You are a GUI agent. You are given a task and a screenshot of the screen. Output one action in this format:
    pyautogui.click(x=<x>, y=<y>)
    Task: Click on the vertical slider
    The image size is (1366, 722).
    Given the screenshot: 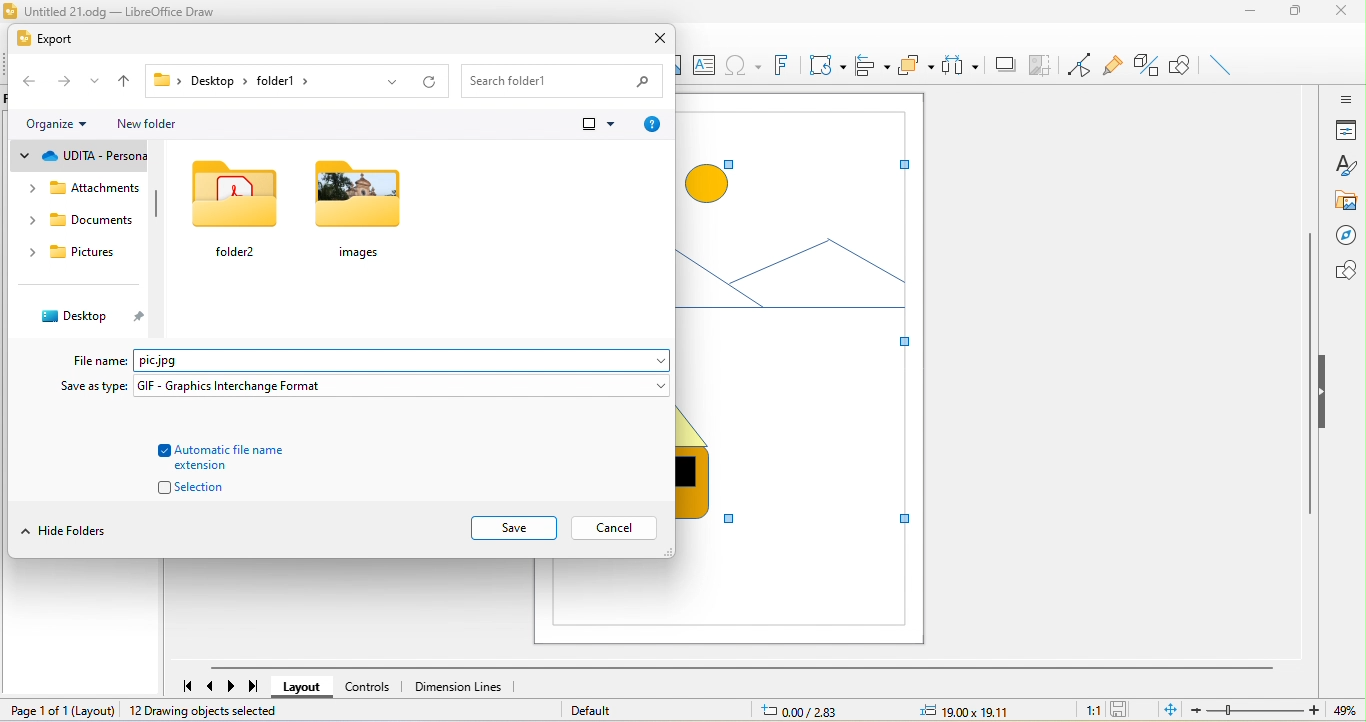 What is the action you would take?
    pyautogui.click(x=1310, y=373)
    